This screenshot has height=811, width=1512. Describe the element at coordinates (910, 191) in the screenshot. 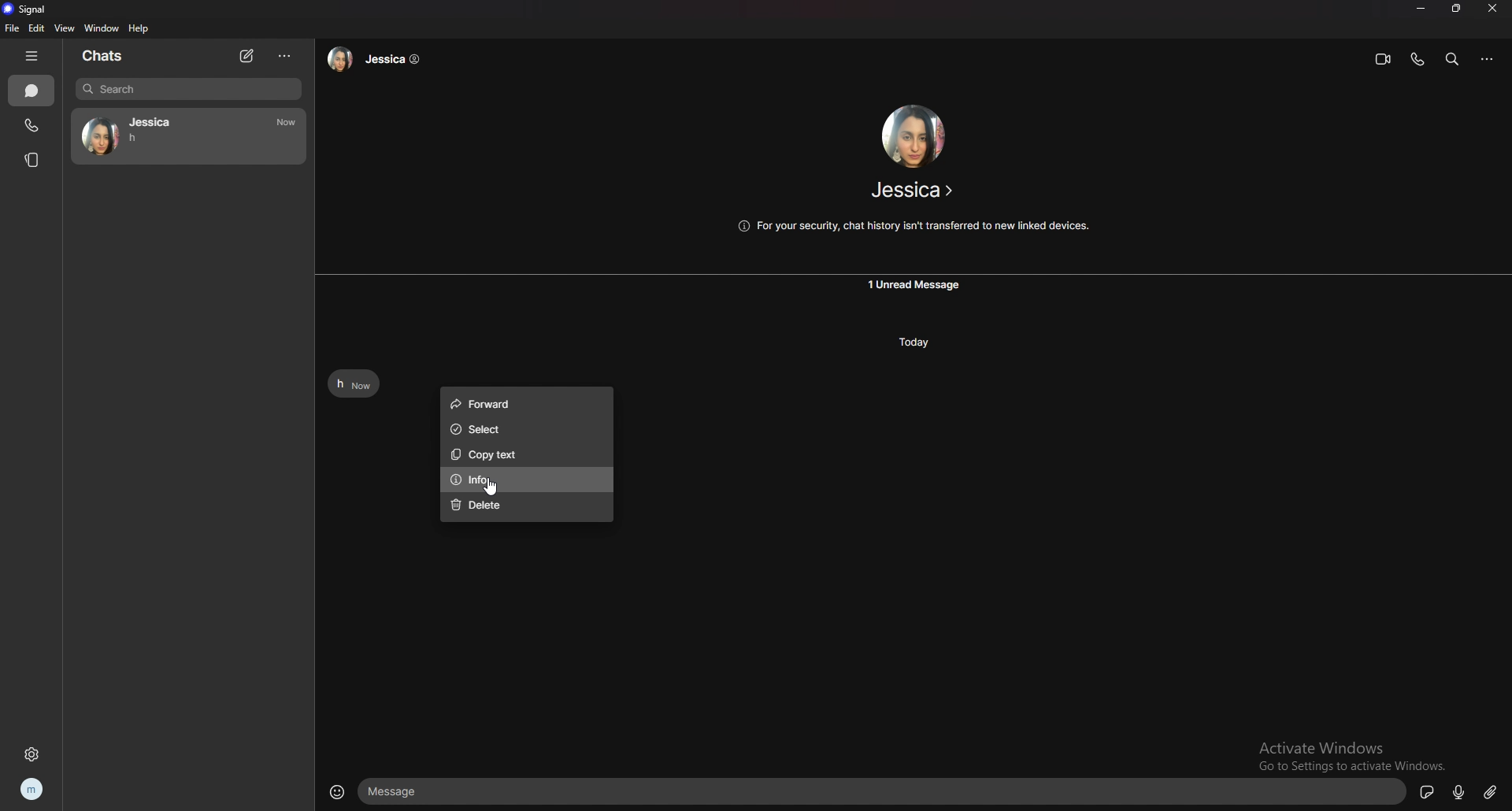

I see `jessica` at that location.